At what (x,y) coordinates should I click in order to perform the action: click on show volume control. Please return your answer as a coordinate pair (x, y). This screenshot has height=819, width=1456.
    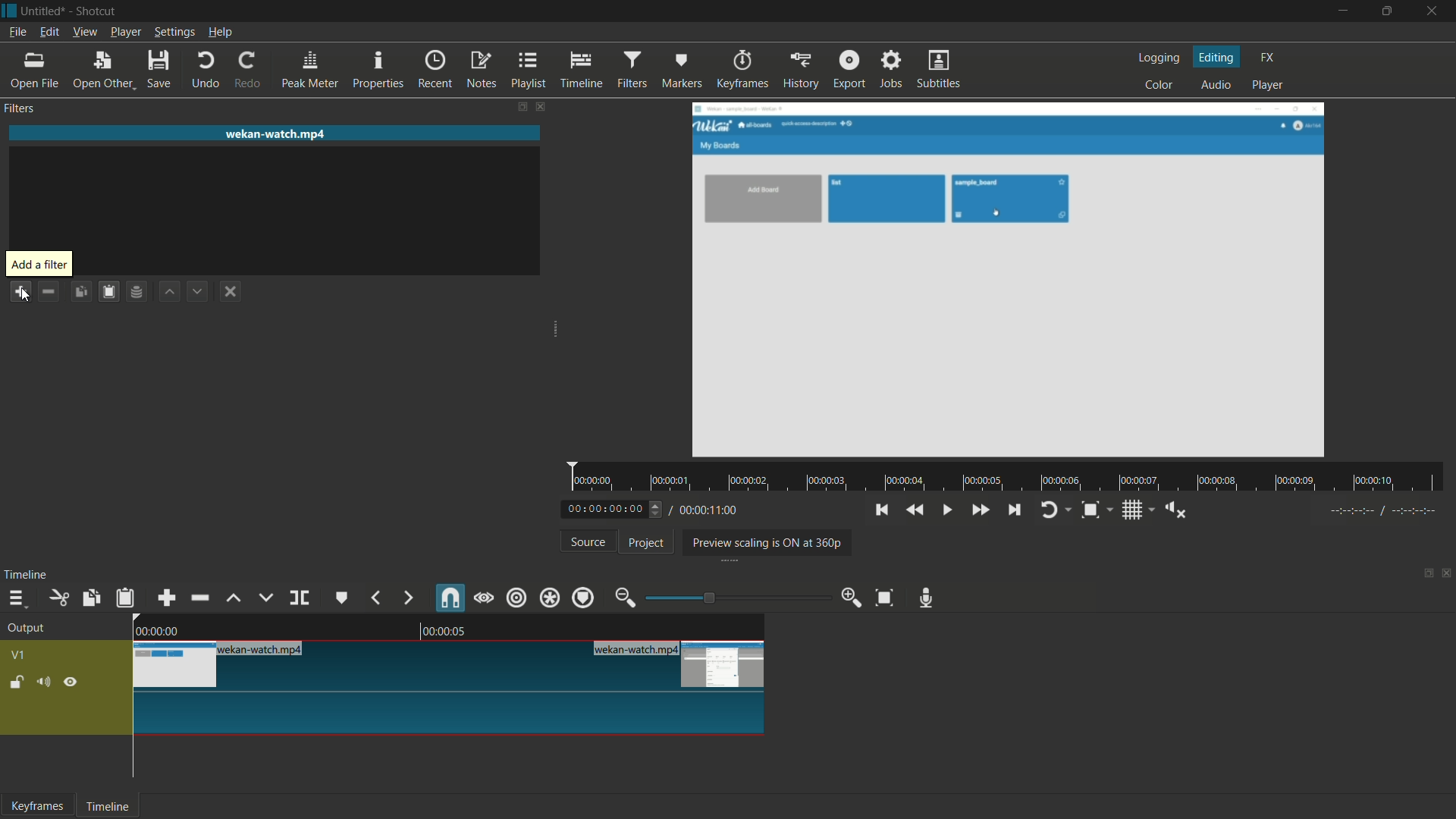
    Looking at the image, I should click on (1177, 510).